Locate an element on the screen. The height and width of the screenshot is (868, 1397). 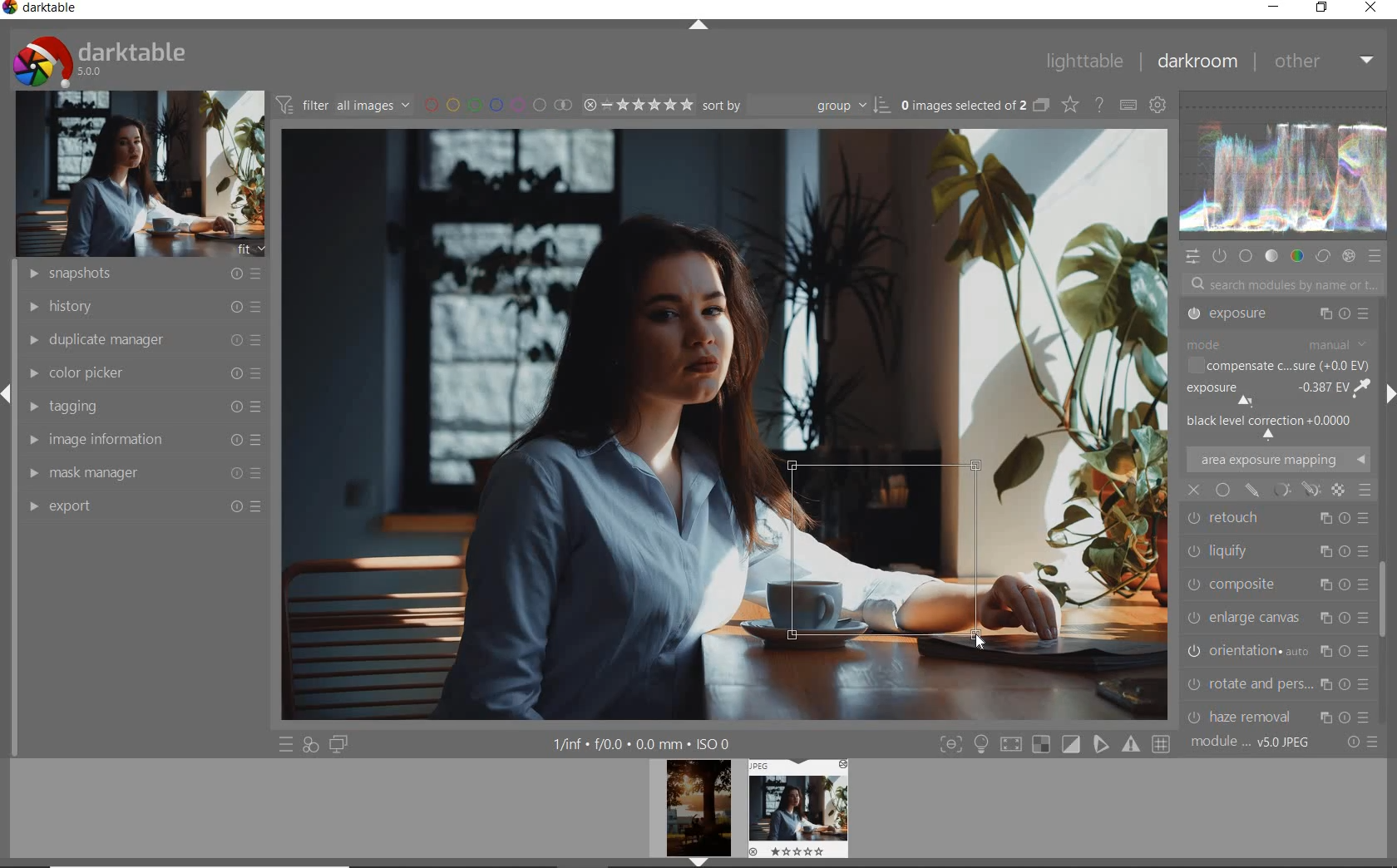
PRESET is located at coordinates (1376, 257).